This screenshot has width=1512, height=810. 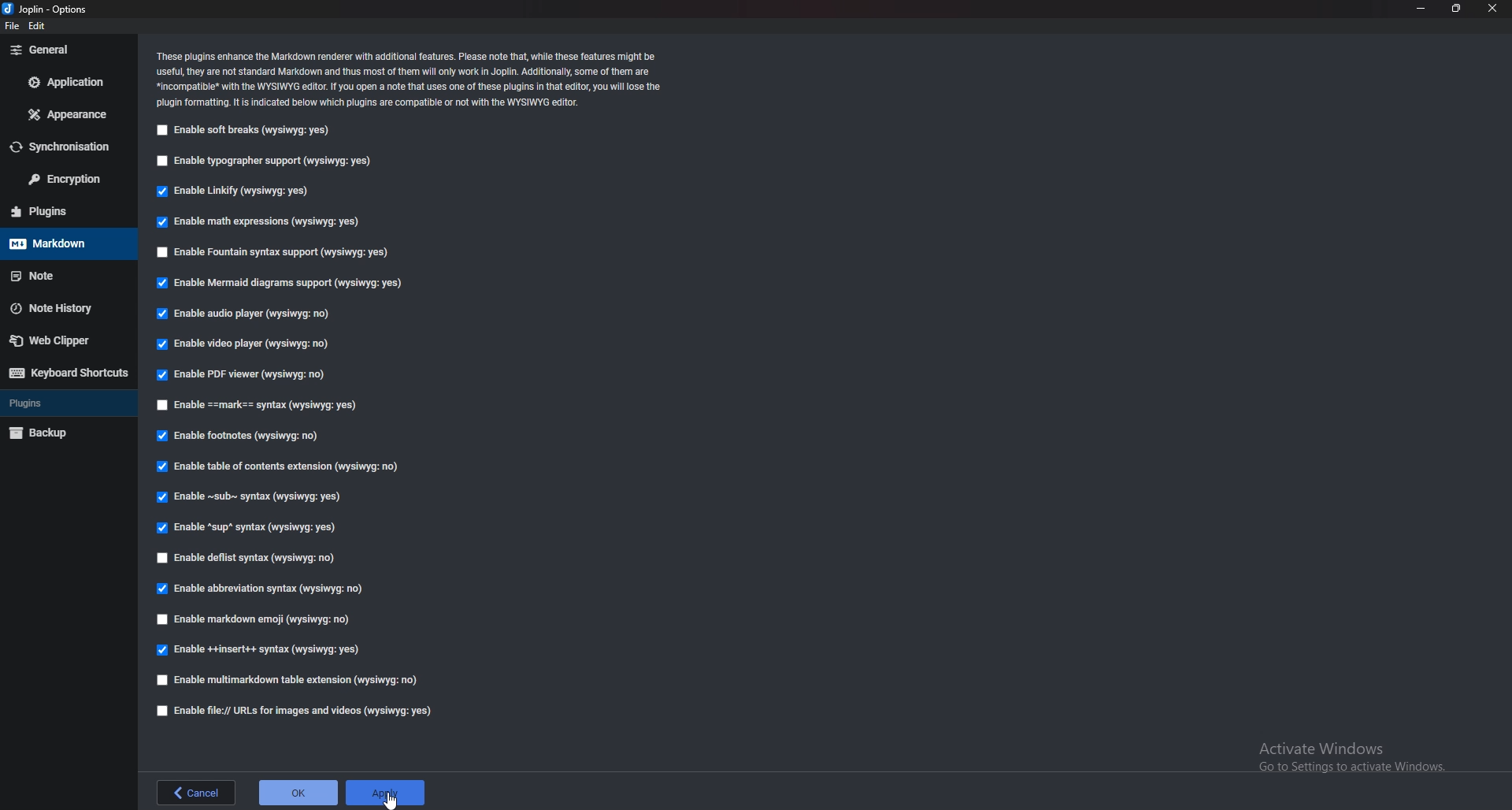 What do you see at coordinates (280, 466) in the screenshot?
I see `Enable table of contents Extensions` at bounding box center [280, 466].